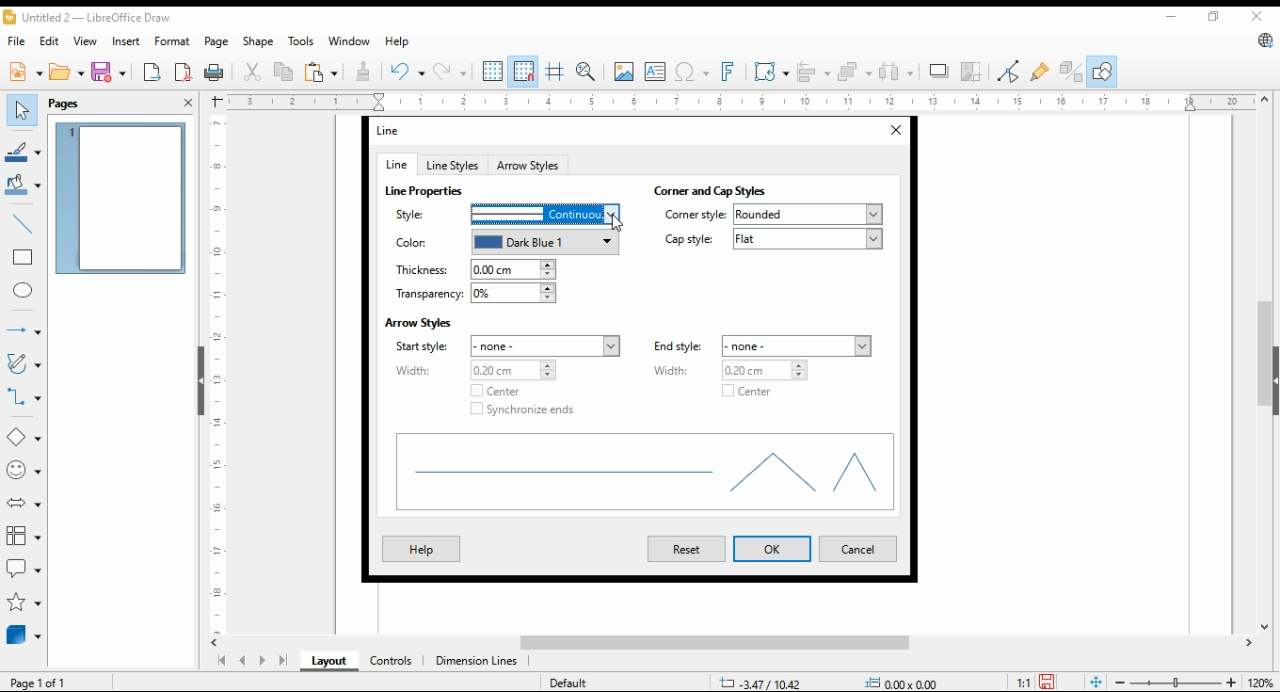 Image resolution: width=1280 pixels, height=692 pixels. I want to click on ok, so click(772, 549).